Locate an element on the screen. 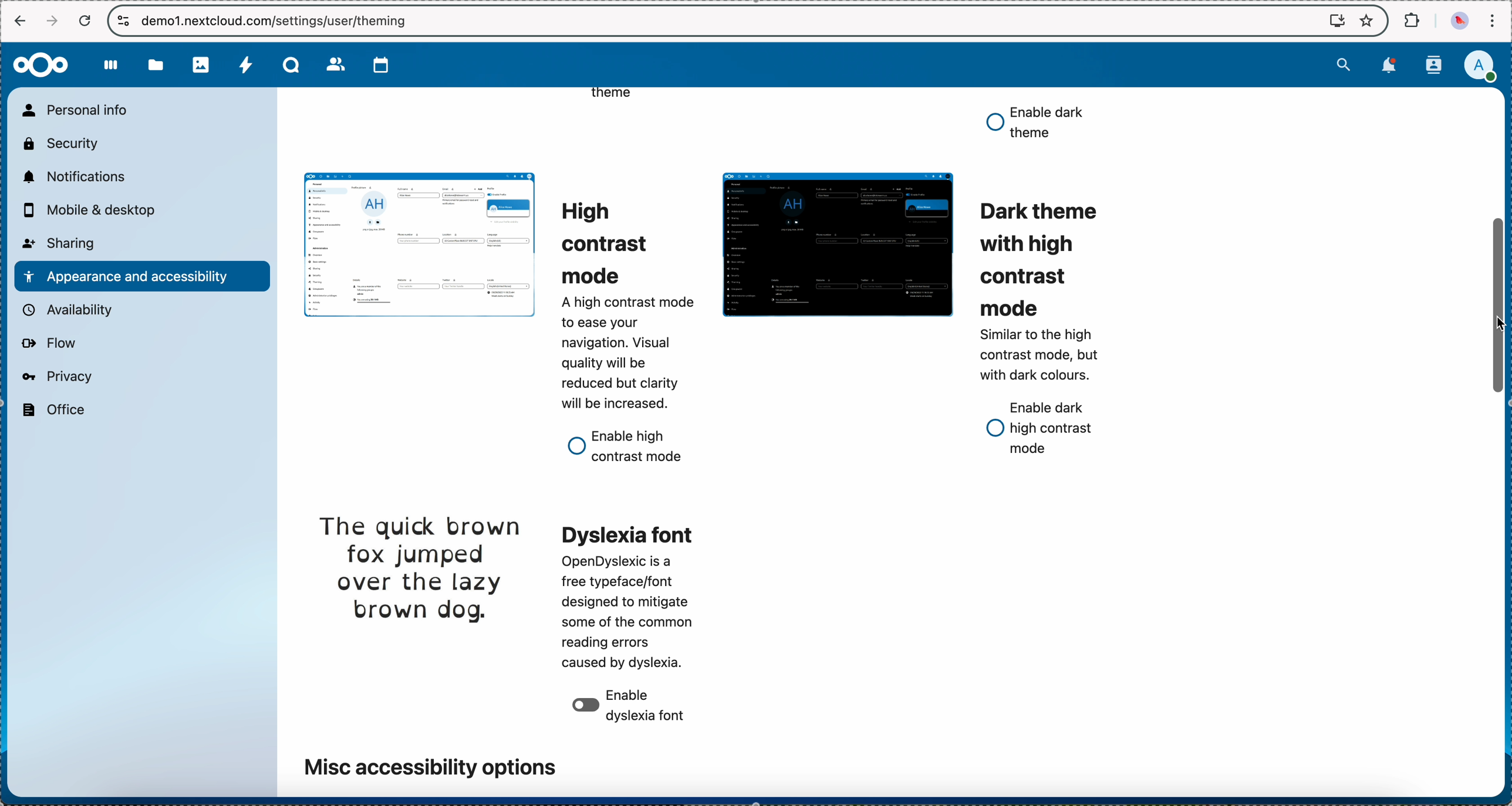 This screenshot has width=1512, height=806. disable dyslexia font option is located at coordinates (636, 709).